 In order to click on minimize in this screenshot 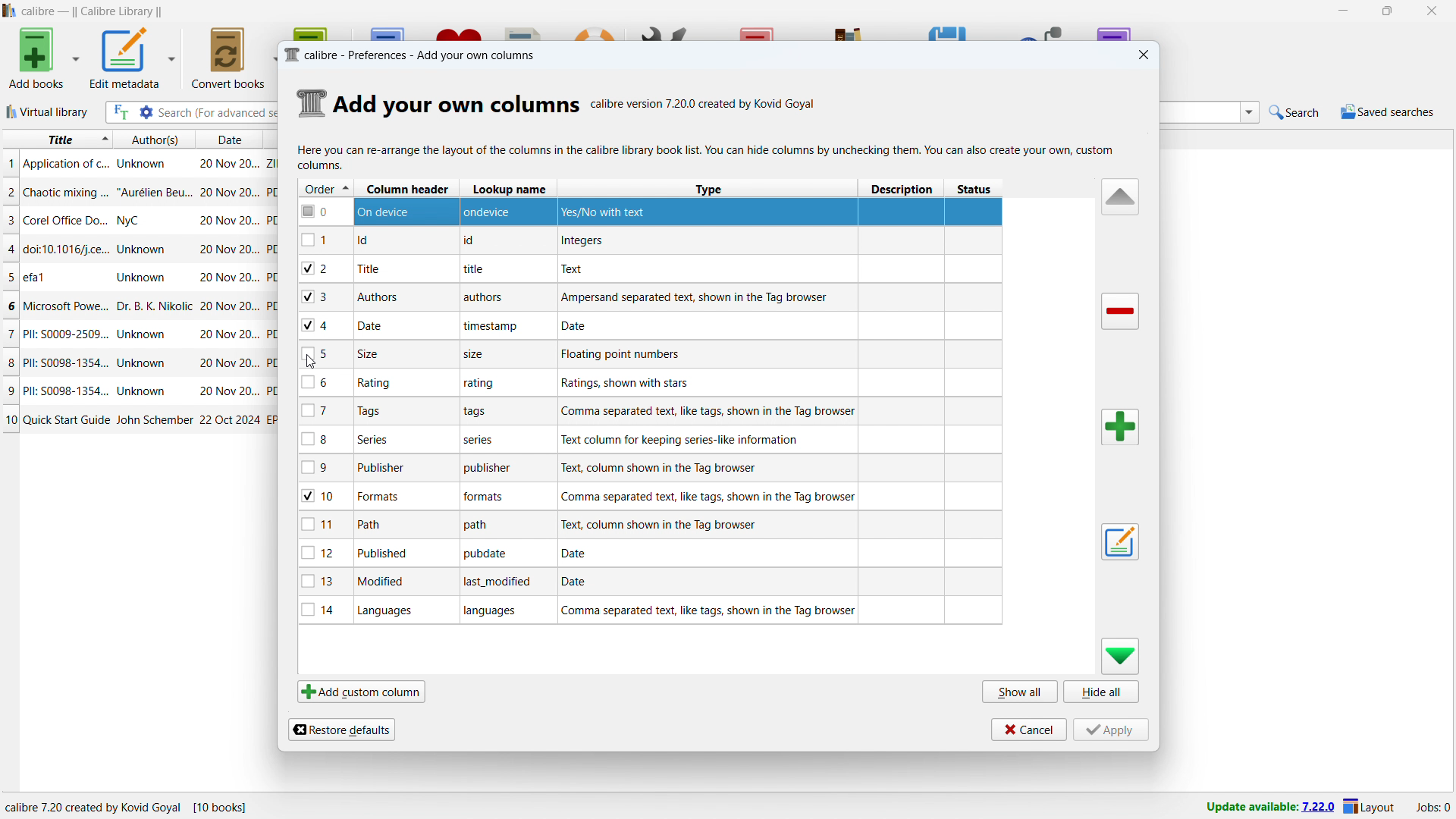, I will do `click(1341, 11)`.